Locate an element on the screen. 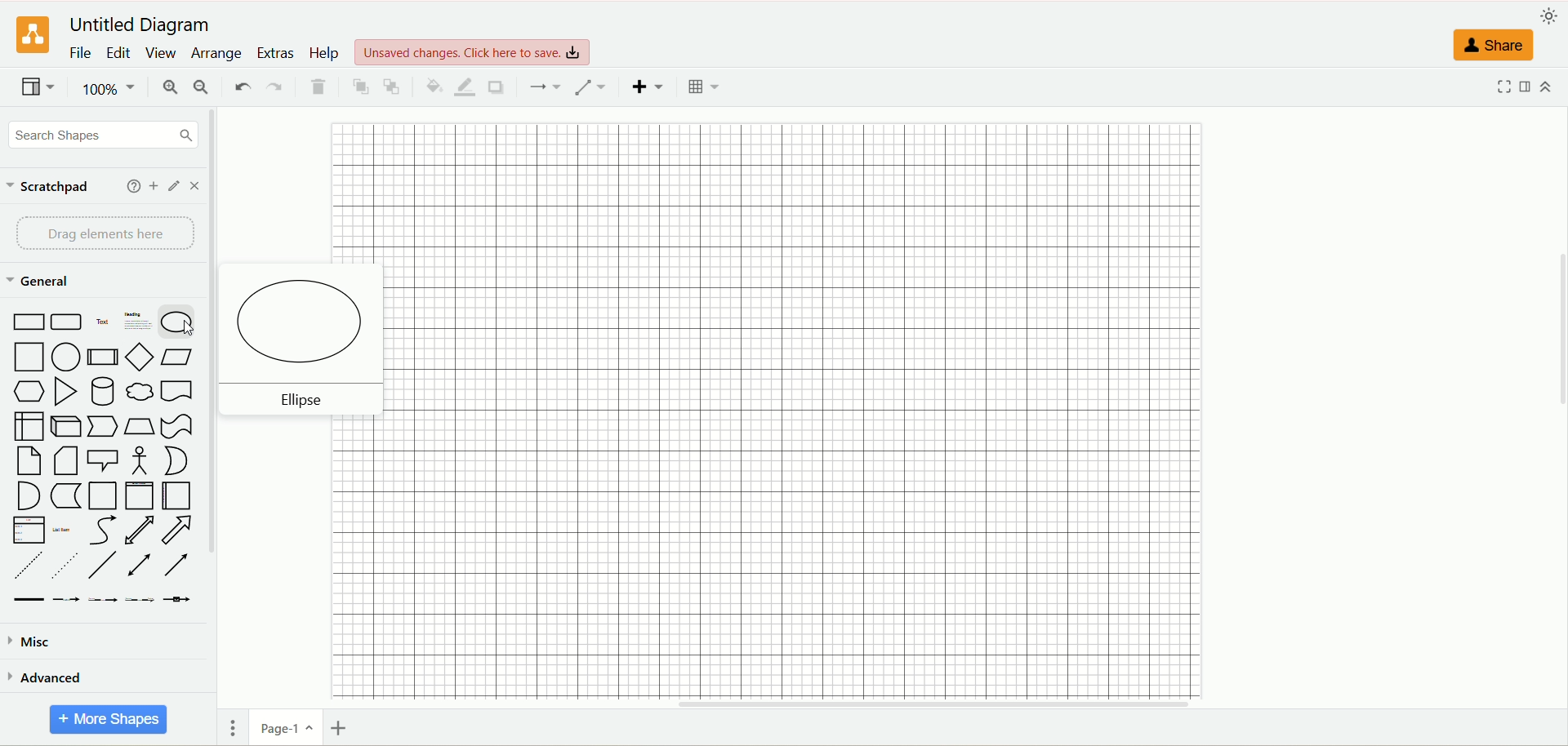  dotted line is located at coordinates (63, 566).